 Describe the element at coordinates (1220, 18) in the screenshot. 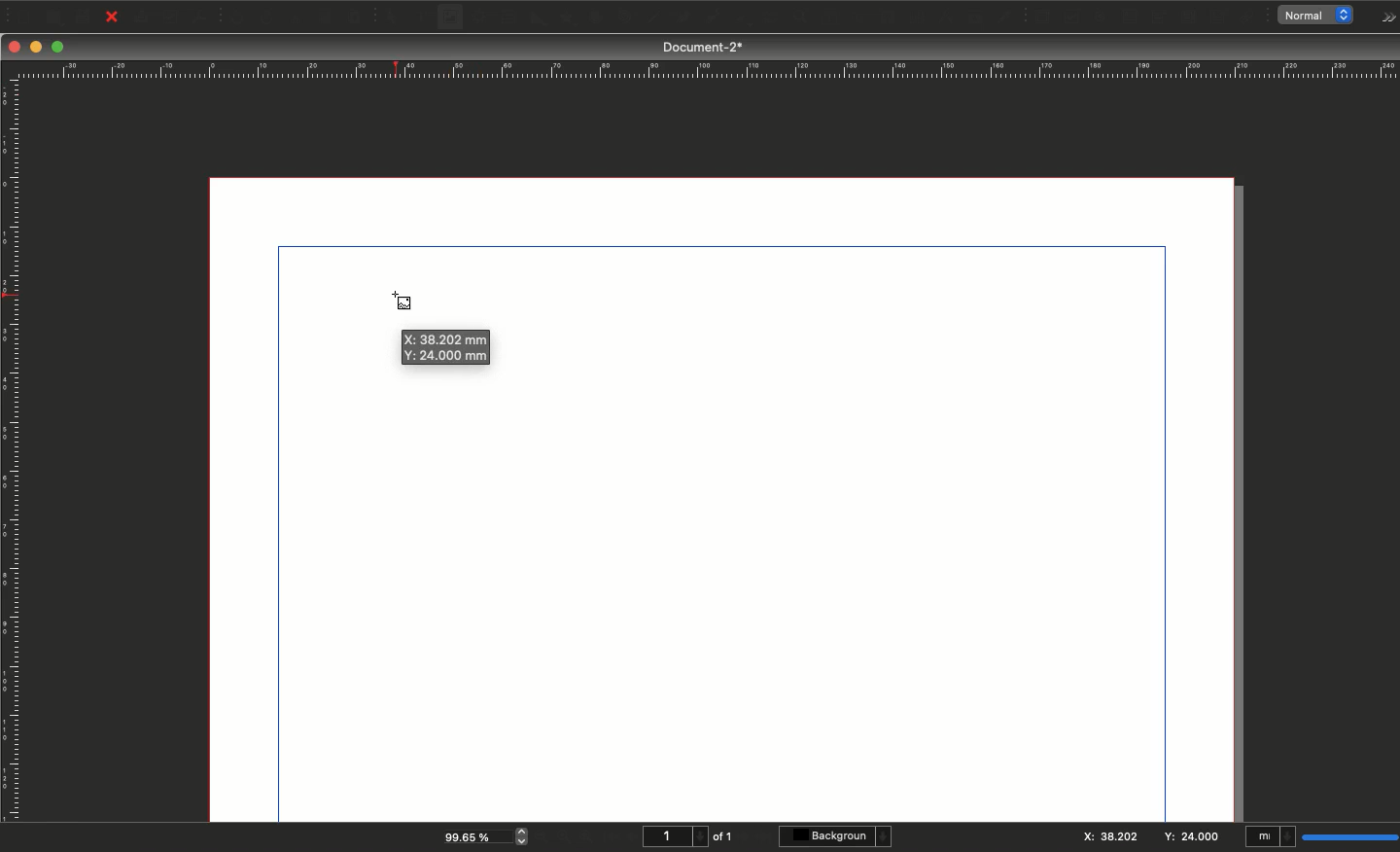

I see `Text annotation` at that location.